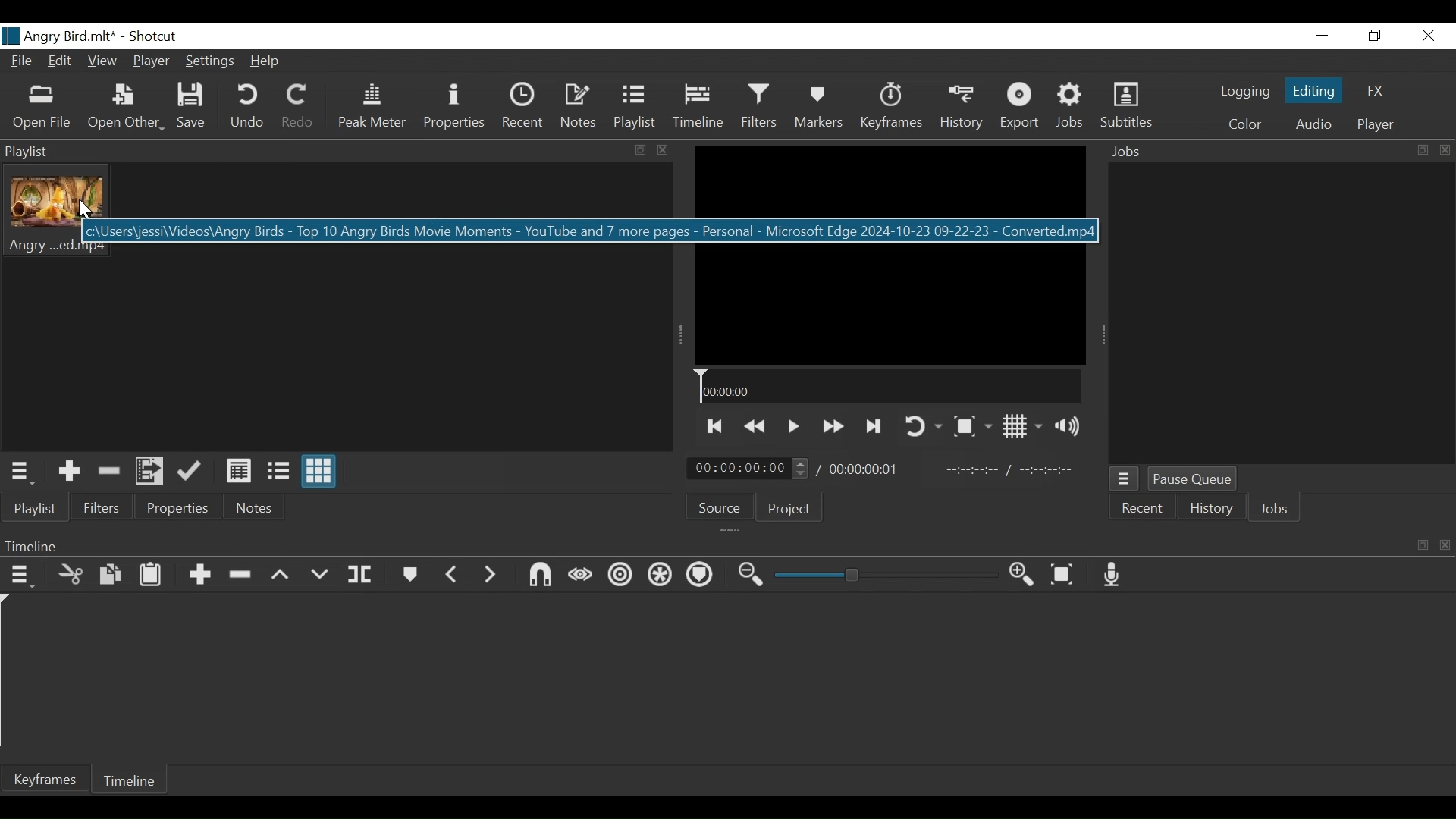  I want to click on Toggle player looping, so click(923, 427).